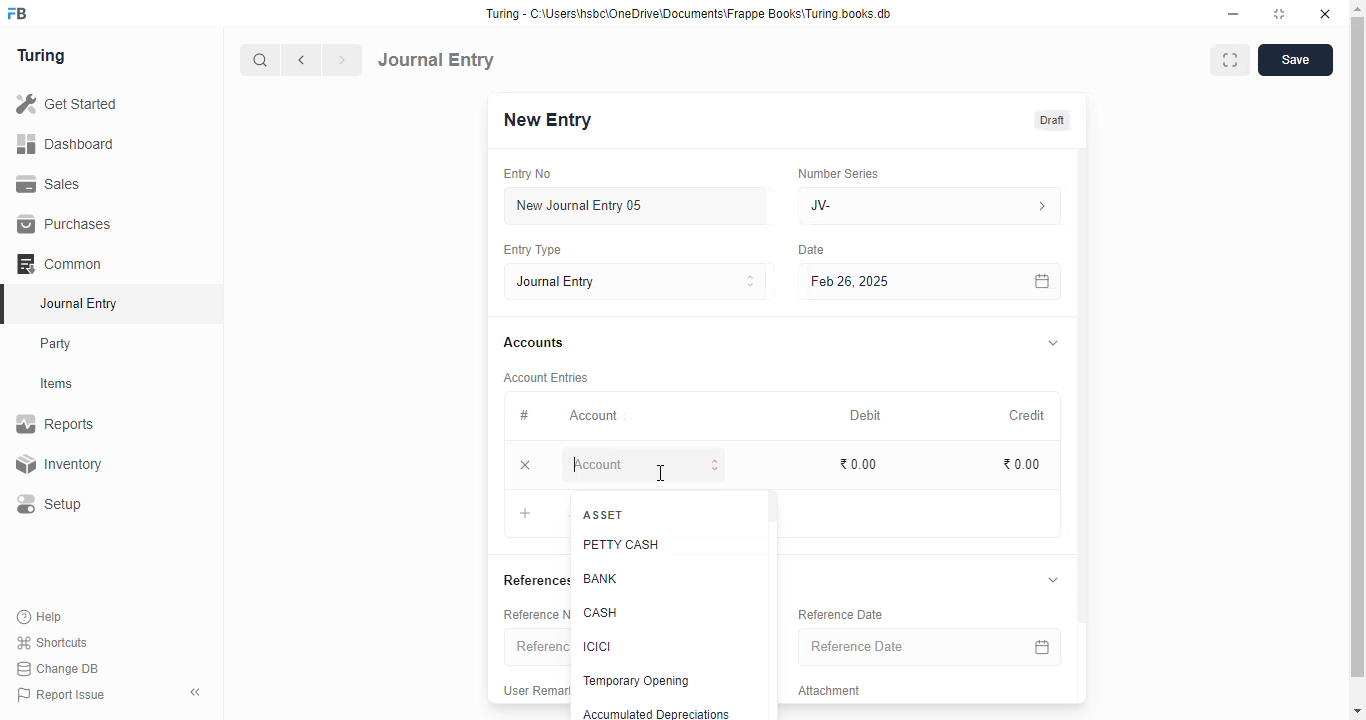 This screenshot has width=1366, height=720. Describe the element at coordinates (864, 415) in the screenshot. I see `debit` at that location.